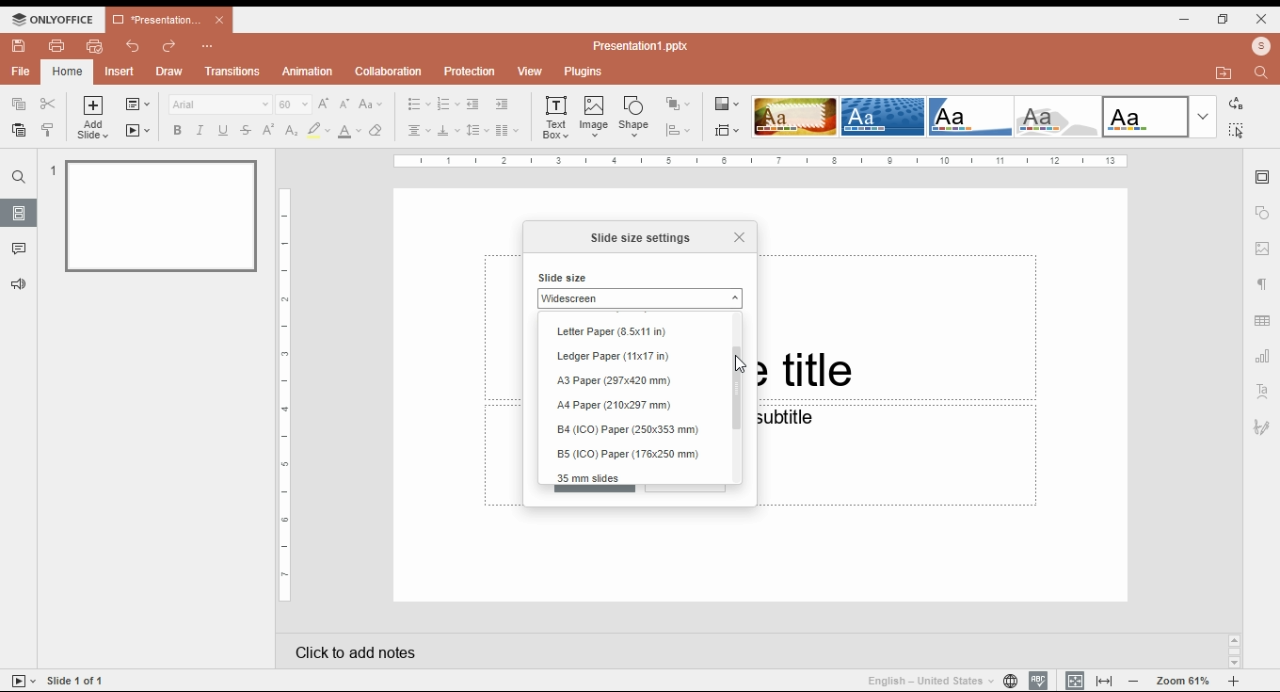 The height and width of the screenshot is (692, 1280). Describe the element at coordinates (388, 71) in the screenshot. I see `collaboration` at that location.